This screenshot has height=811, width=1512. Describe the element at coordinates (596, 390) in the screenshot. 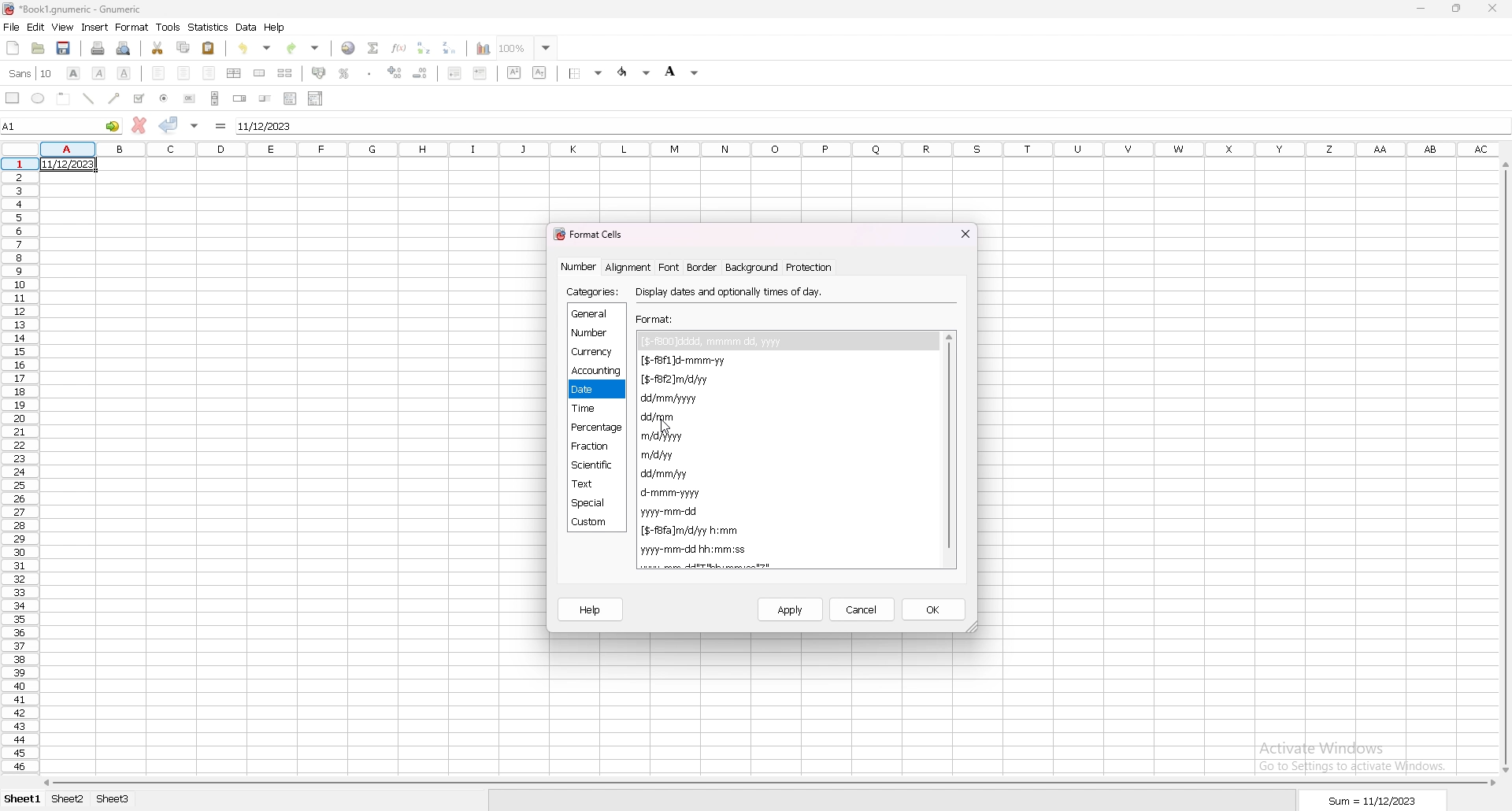

I see `date` at that location.